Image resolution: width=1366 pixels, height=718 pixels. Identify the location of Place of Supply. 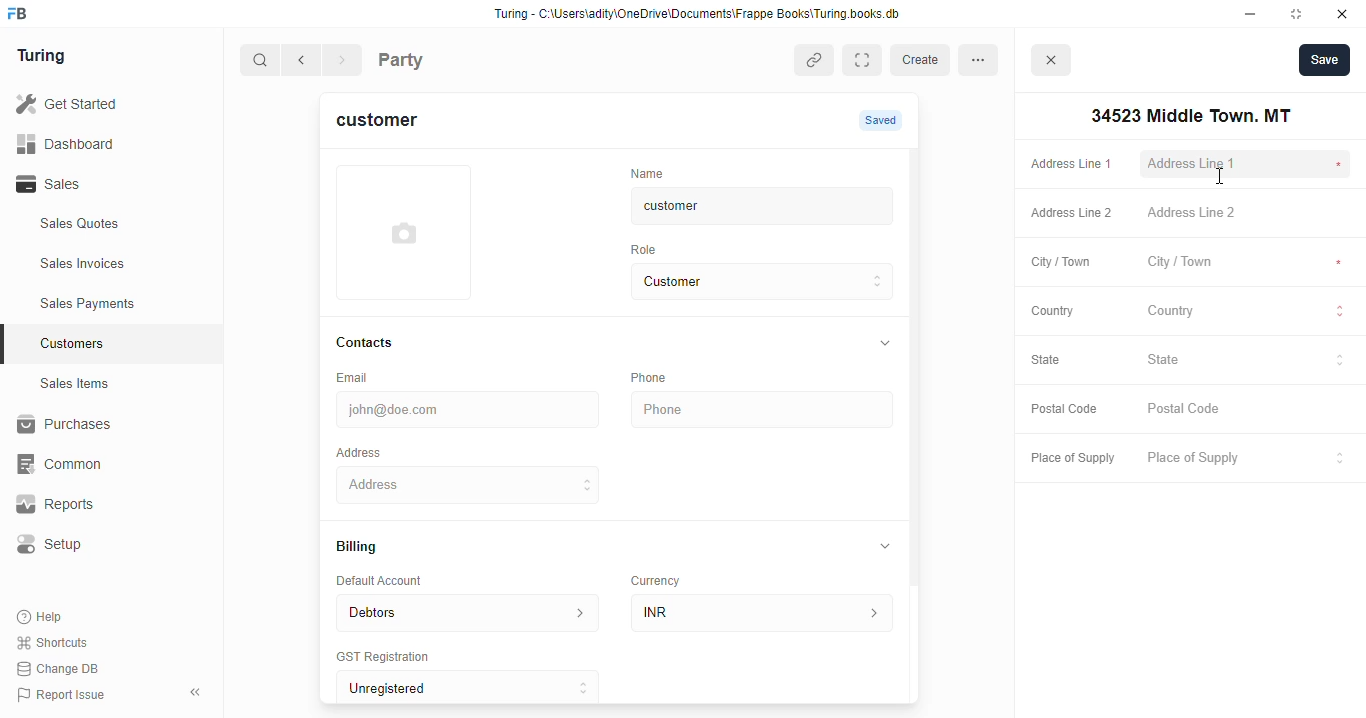
(1068, 459).